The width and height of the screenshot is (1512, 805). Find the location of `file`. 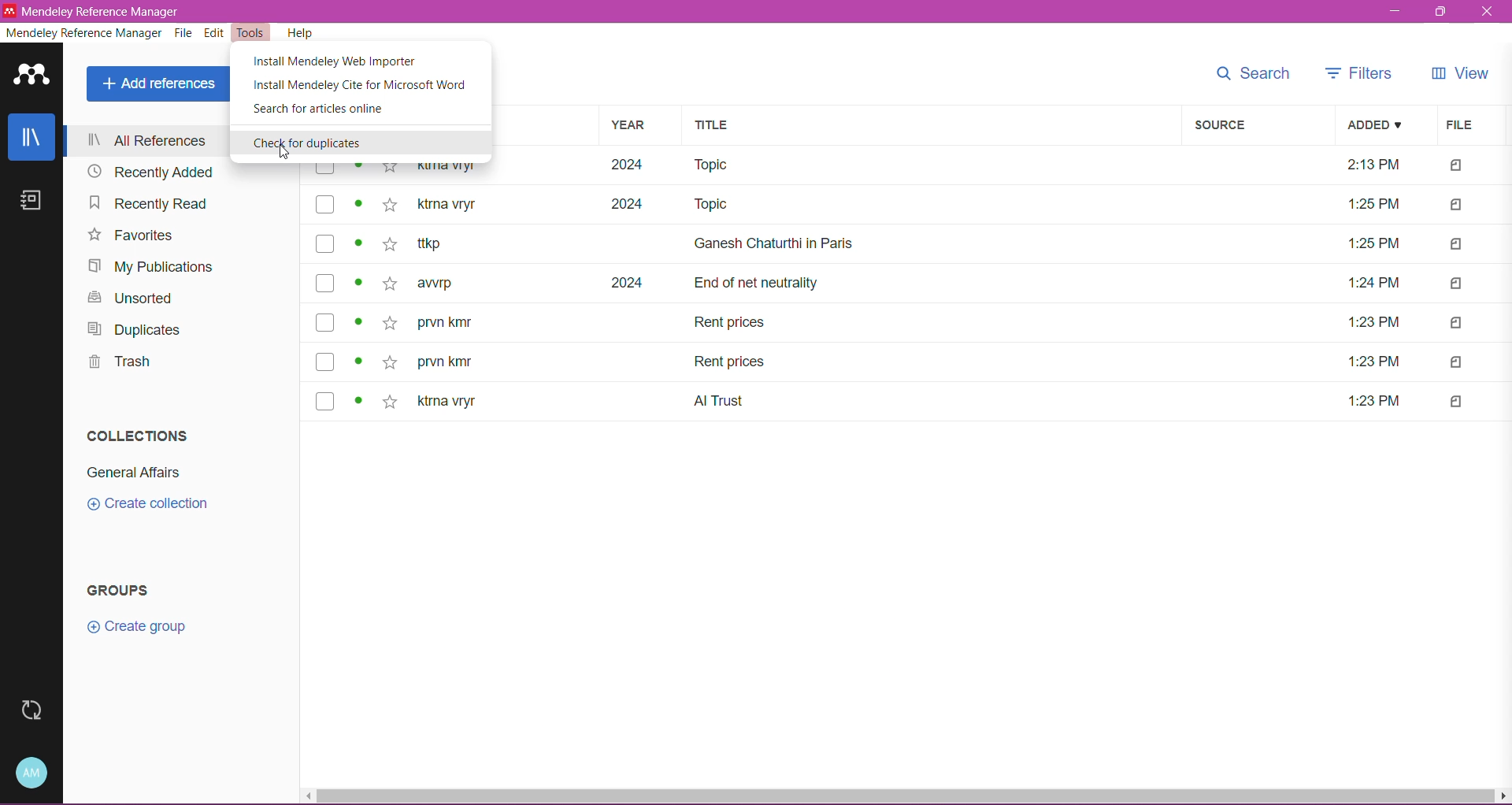

file is located at coordinates (1373, 243).